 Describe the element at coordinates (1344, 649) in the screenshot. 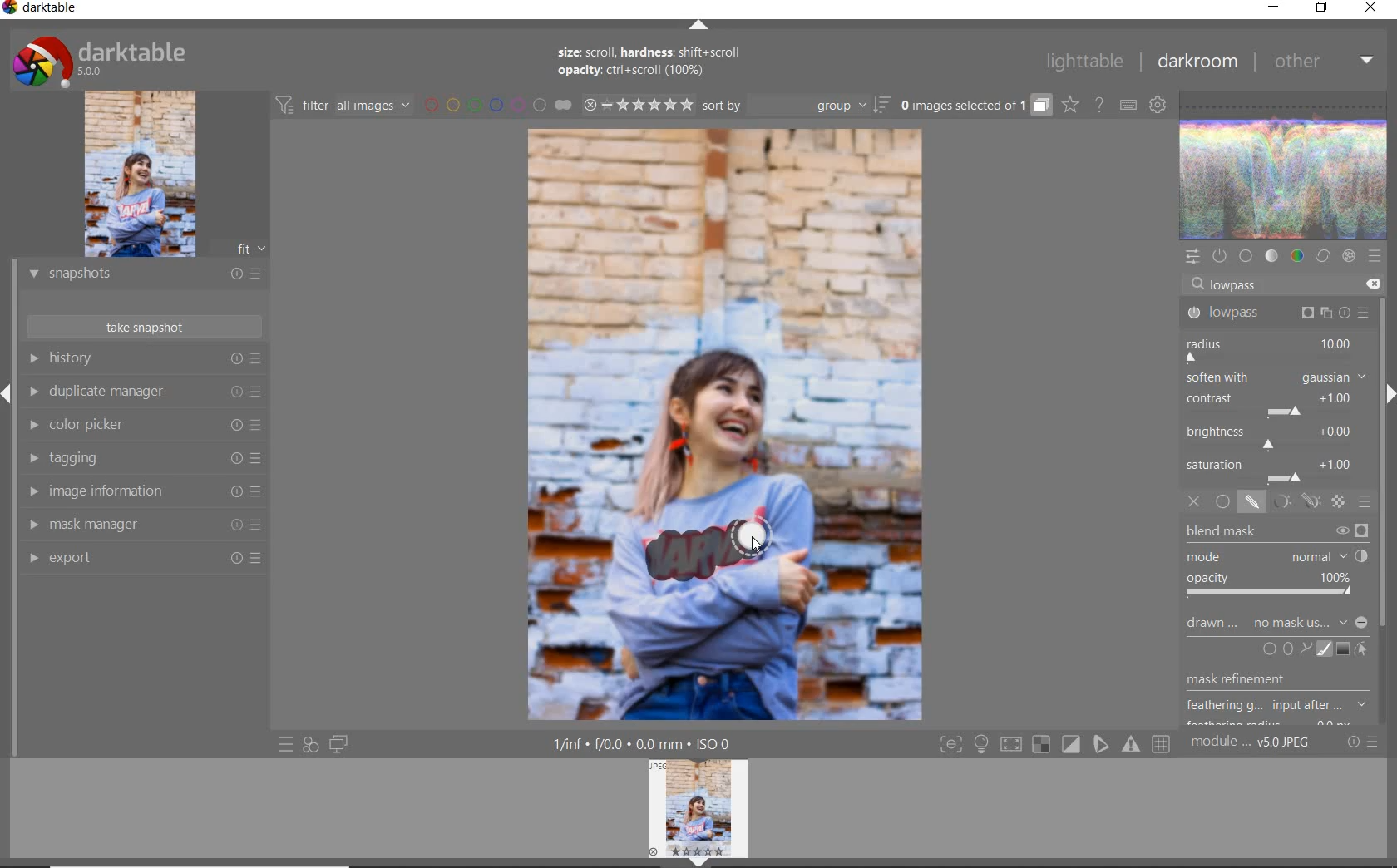

I see `add gradient` at that location.